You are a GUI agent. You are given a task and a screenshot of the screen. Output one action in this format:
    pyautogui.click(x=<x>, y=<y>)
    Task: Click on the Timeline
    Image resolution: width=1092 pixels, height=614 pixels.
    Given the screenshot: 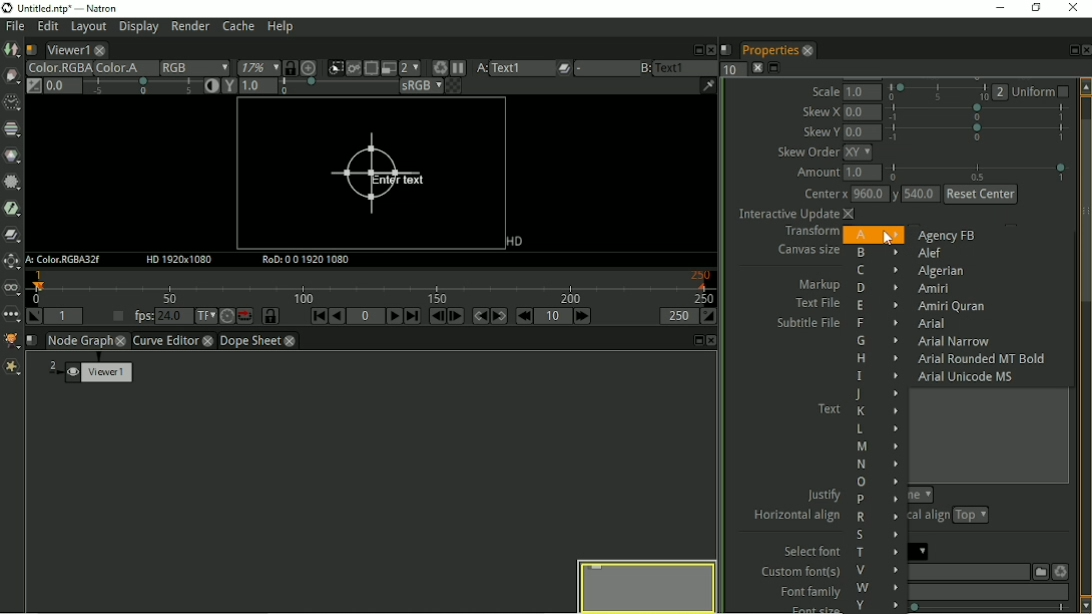 What is the action you would take?
    pyautogui.click(x=374, y=287)
    